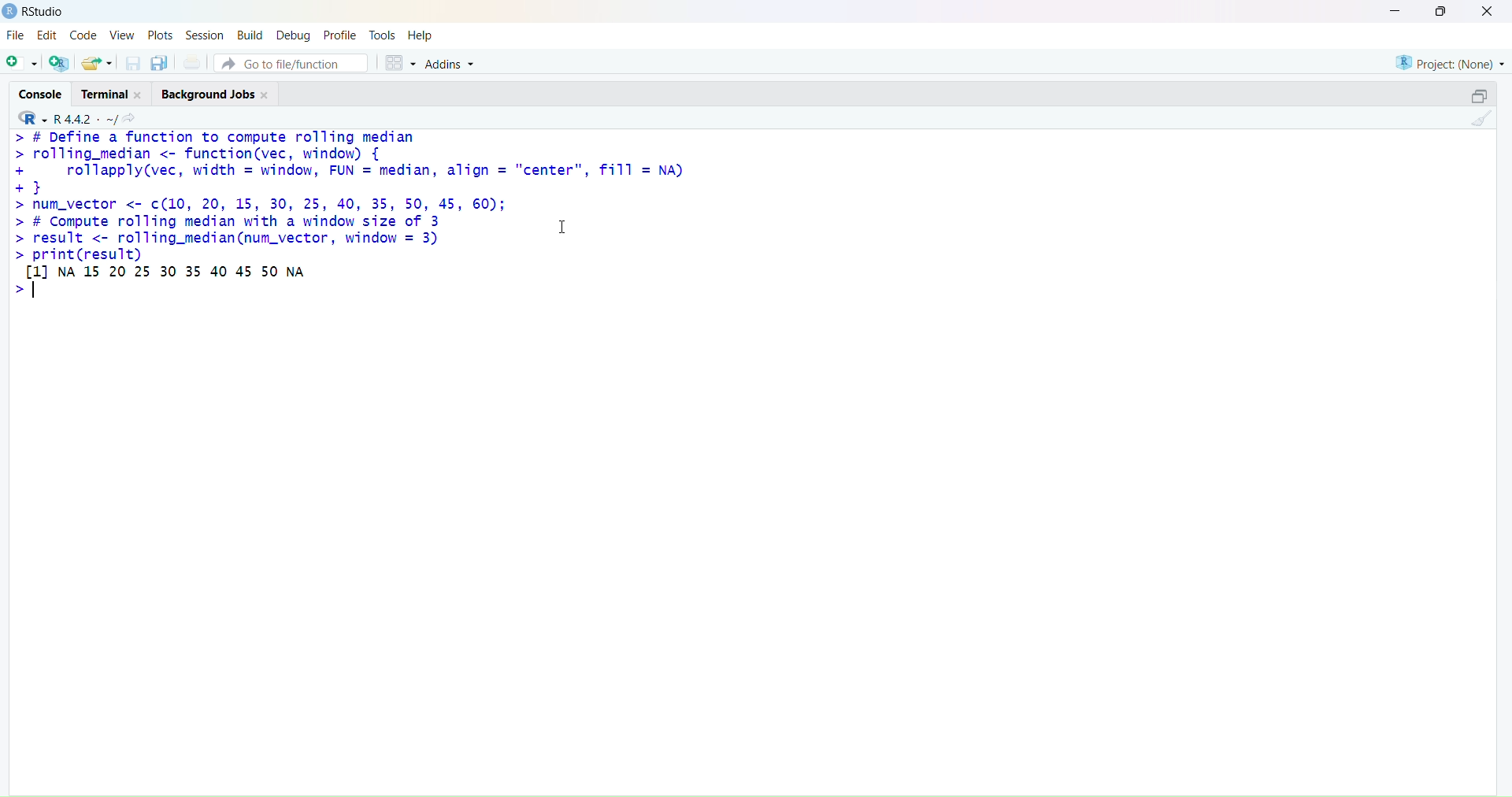  What do you see at coordinates (97, 63) in the screenshot?
I see `share folder as` at bounding box center [97, 63].